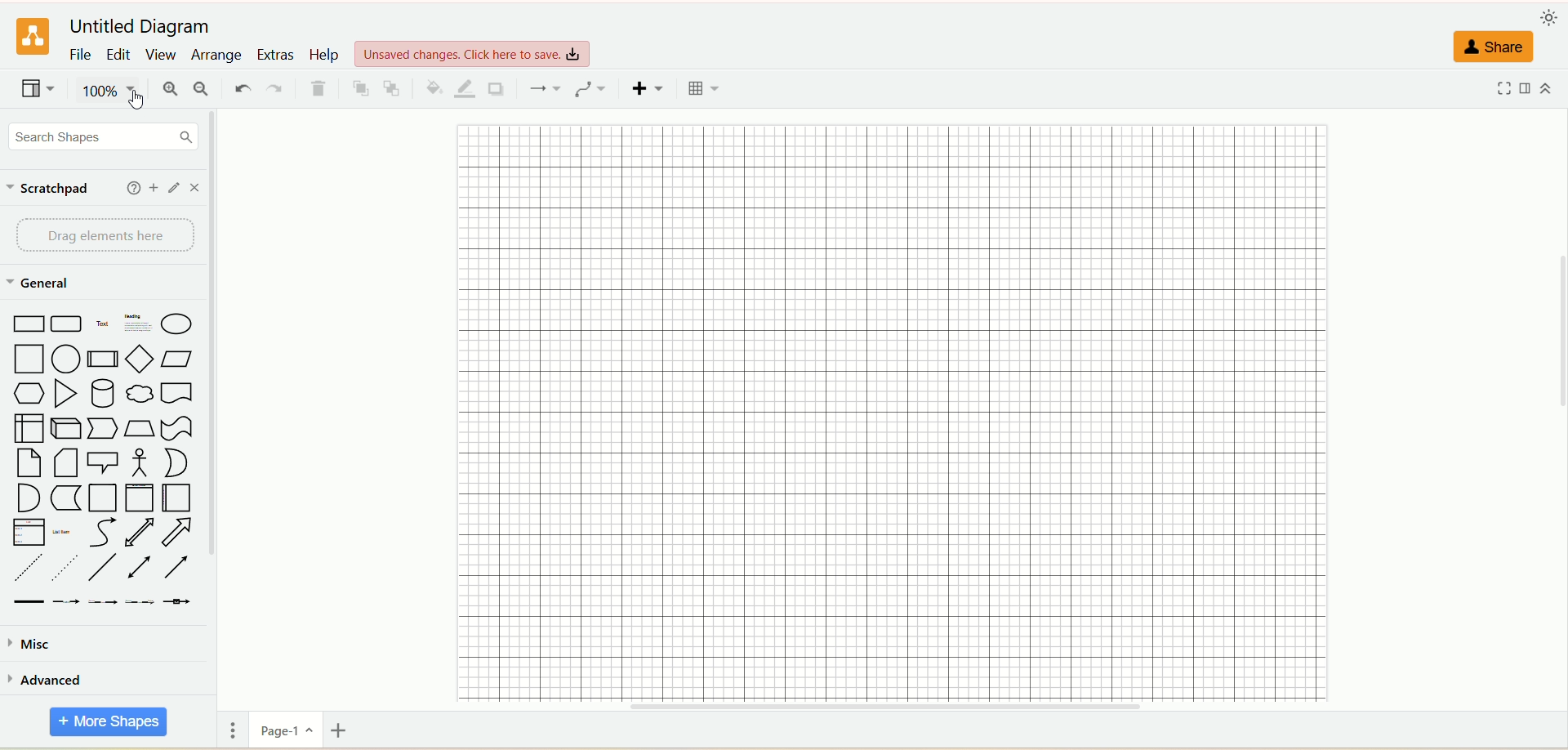 This screenshot has width=1568, height=750. What do you see at coordinates (176, 392) in the screenshot?
I see `document` at bounding box center [176, 392].